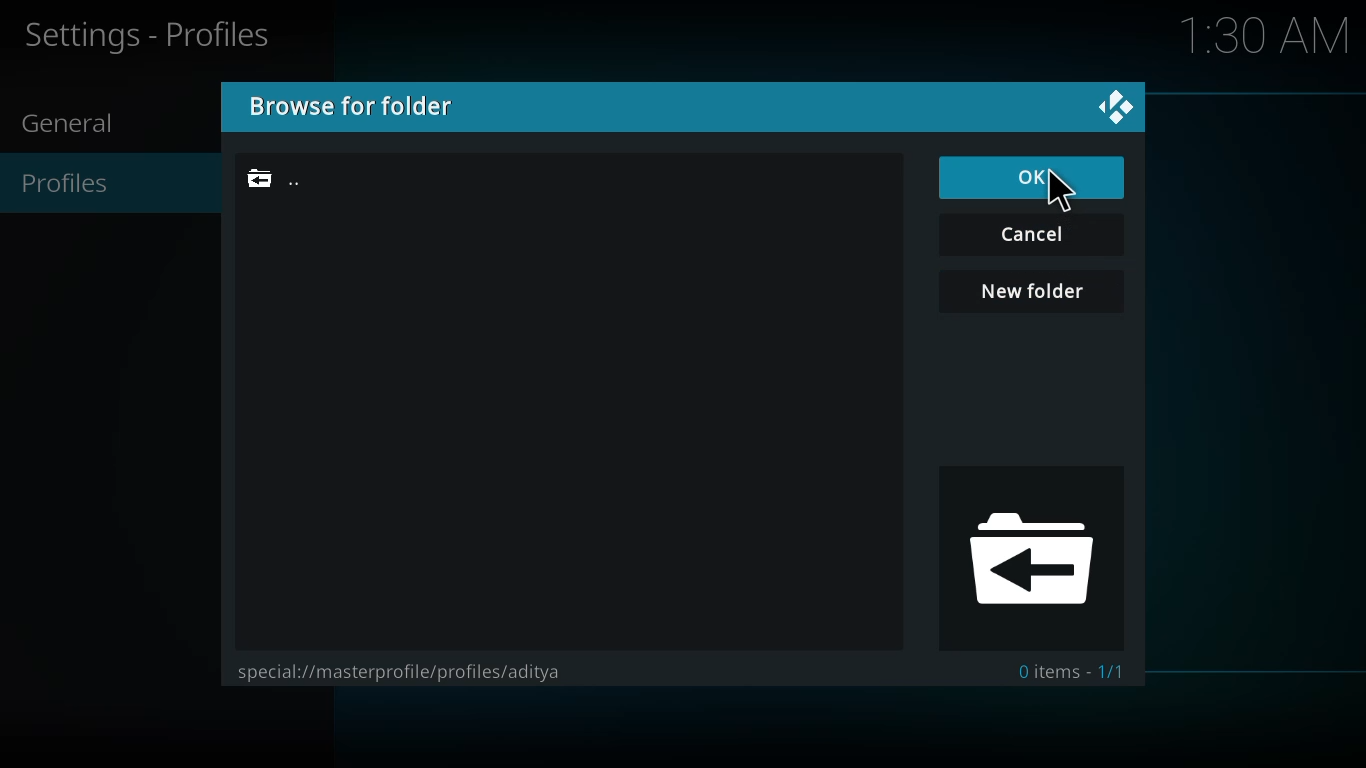  What do you see at coordinates (1033, 292) in the screenshot?
I see `new folder` at bounding box center [1033, 292].